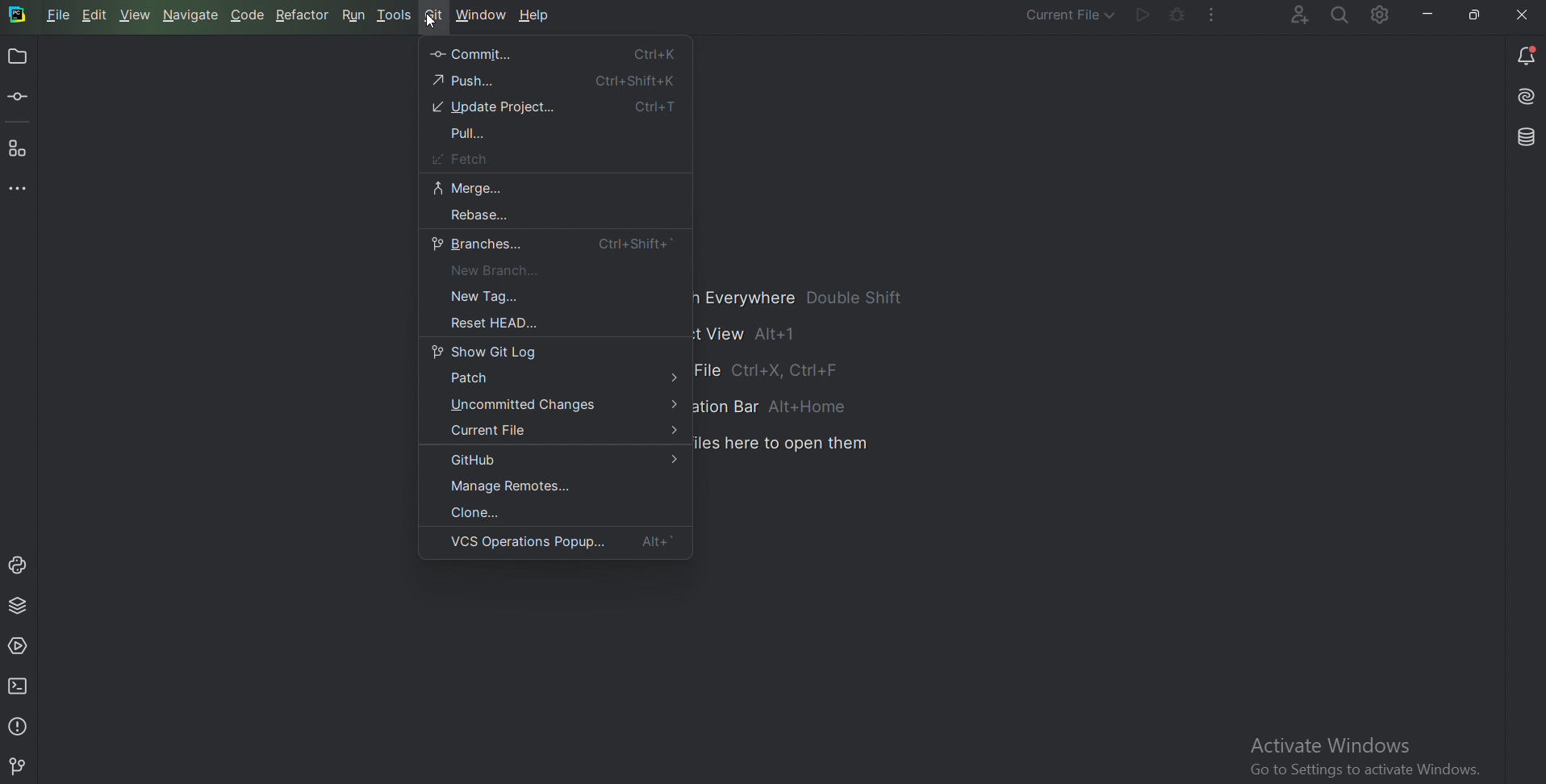 The image size is (1546, 784). What do you see at coordinates (1138, 17) in the screenshot?
I see `Run` at bounding box center [1138, 17].